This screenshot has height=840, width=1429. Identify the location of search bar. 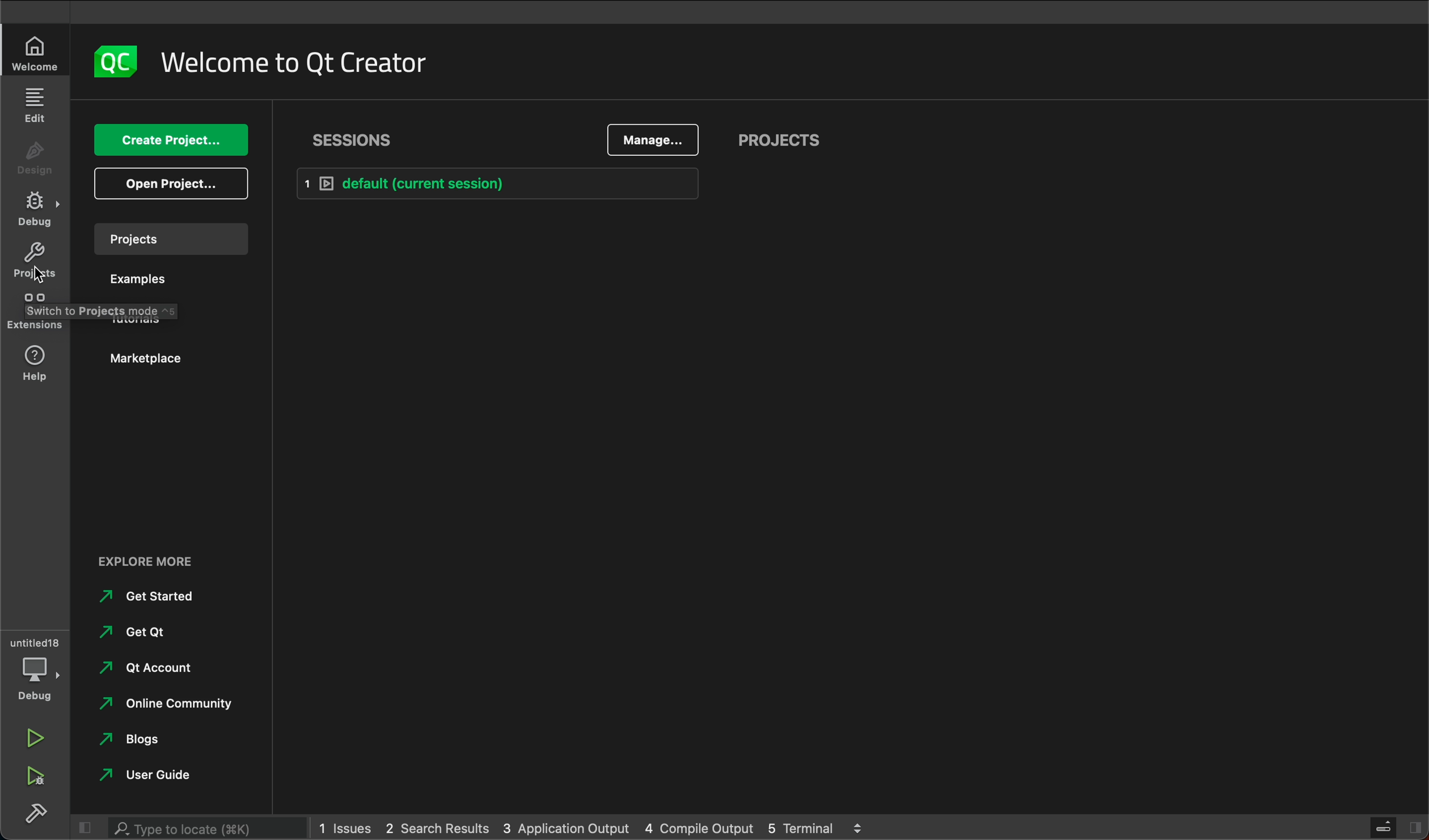
(197, 828).